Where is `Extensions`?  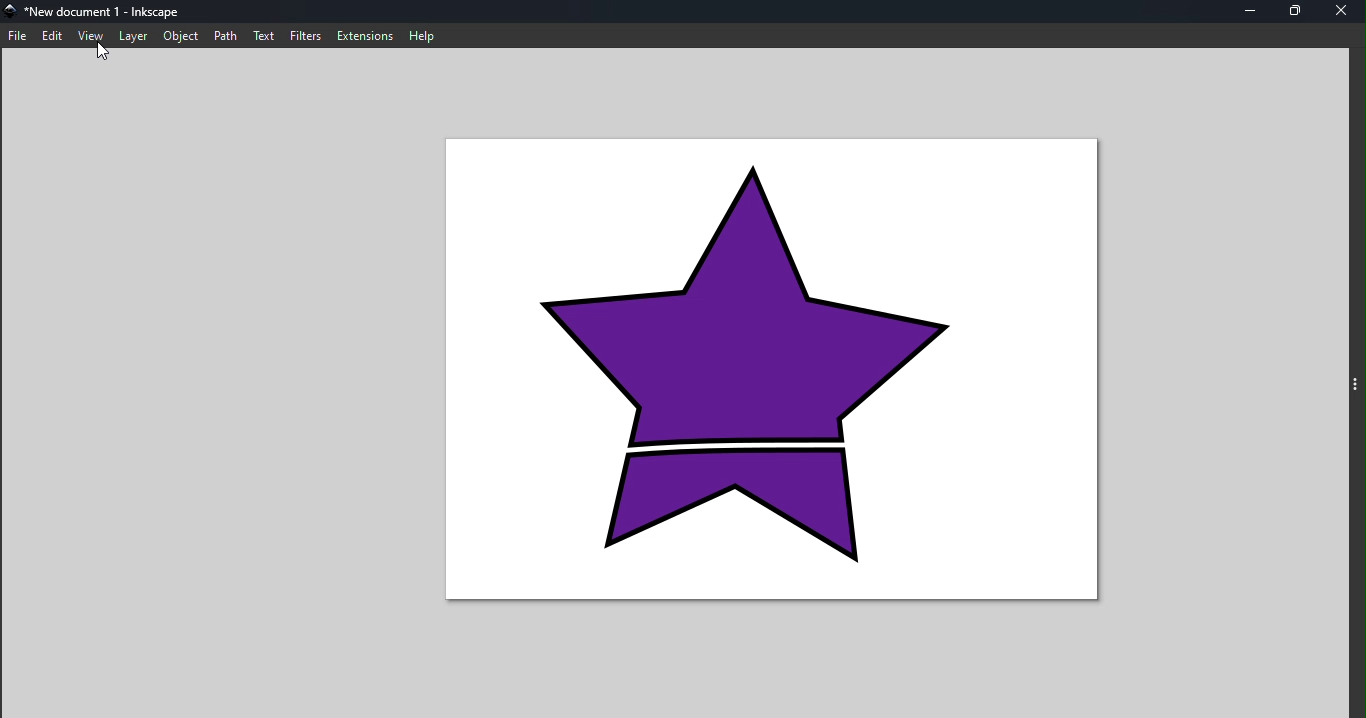 Extensions is located at coordinates (361, 35).